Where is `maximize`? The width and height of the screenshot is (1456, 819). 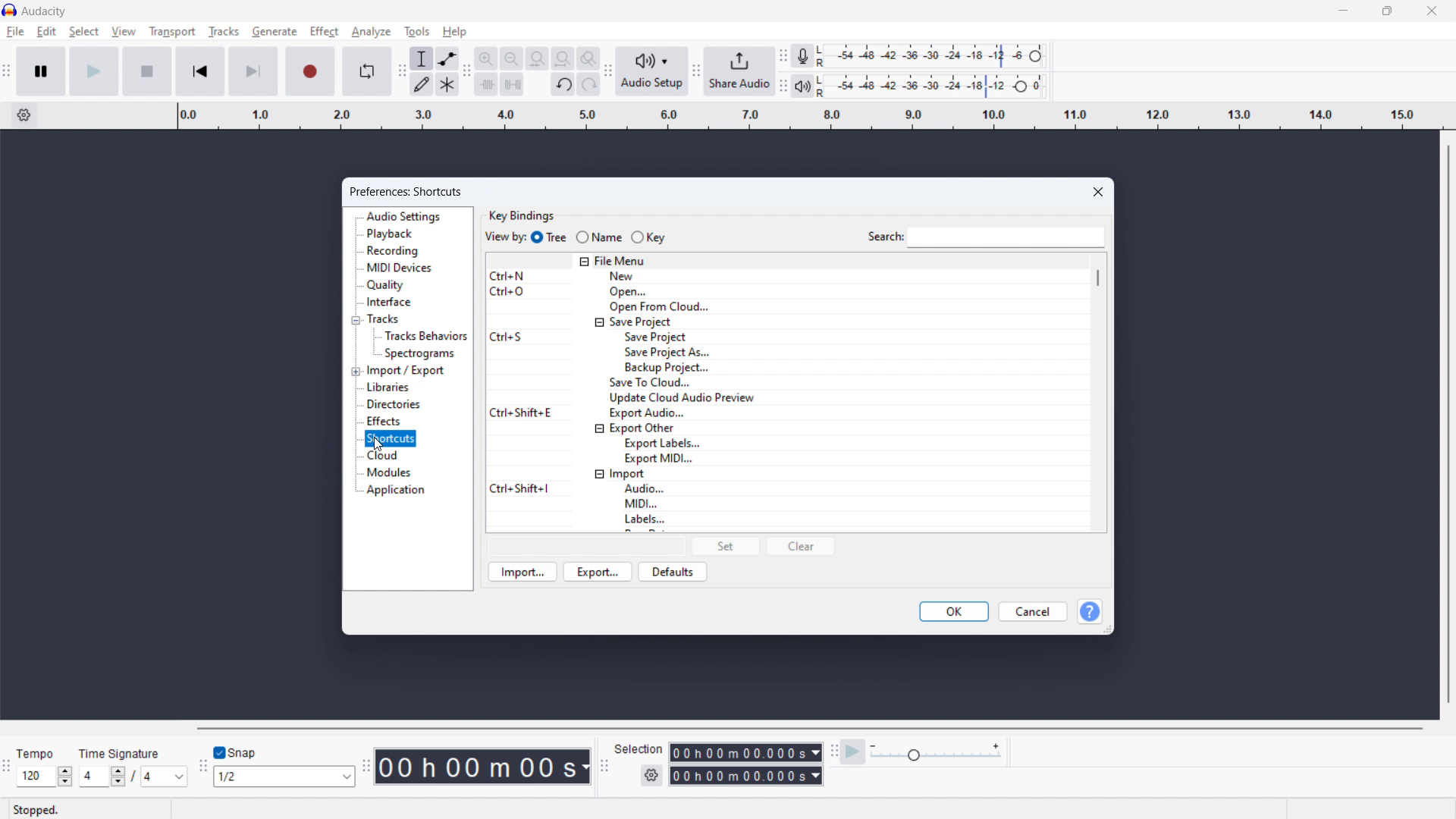 maximize is located at coordinates (1385, 11).